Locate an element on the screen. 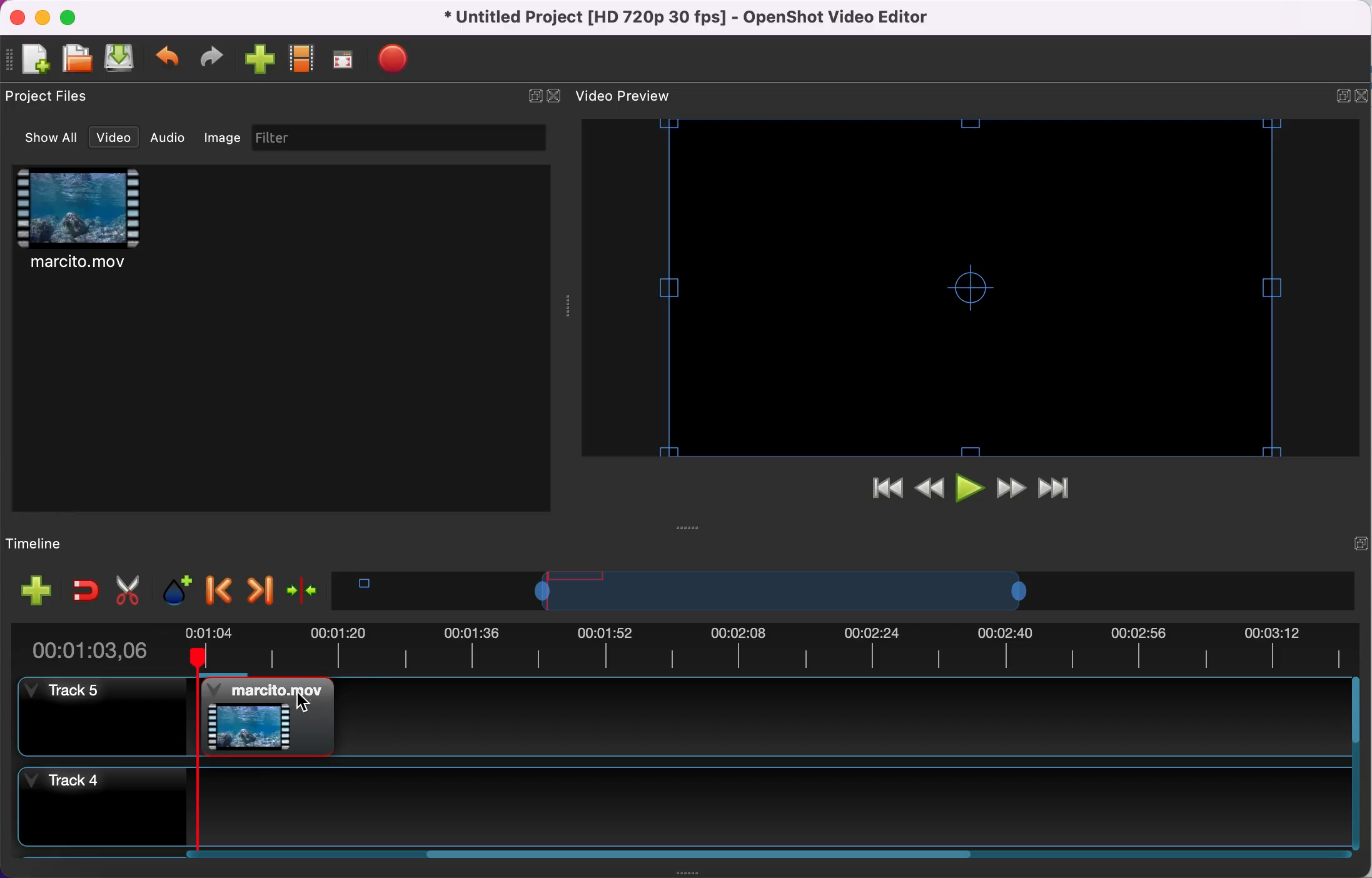 This screenshot has width=1372, height=878. jump to start is located at coordinates (890, 490).